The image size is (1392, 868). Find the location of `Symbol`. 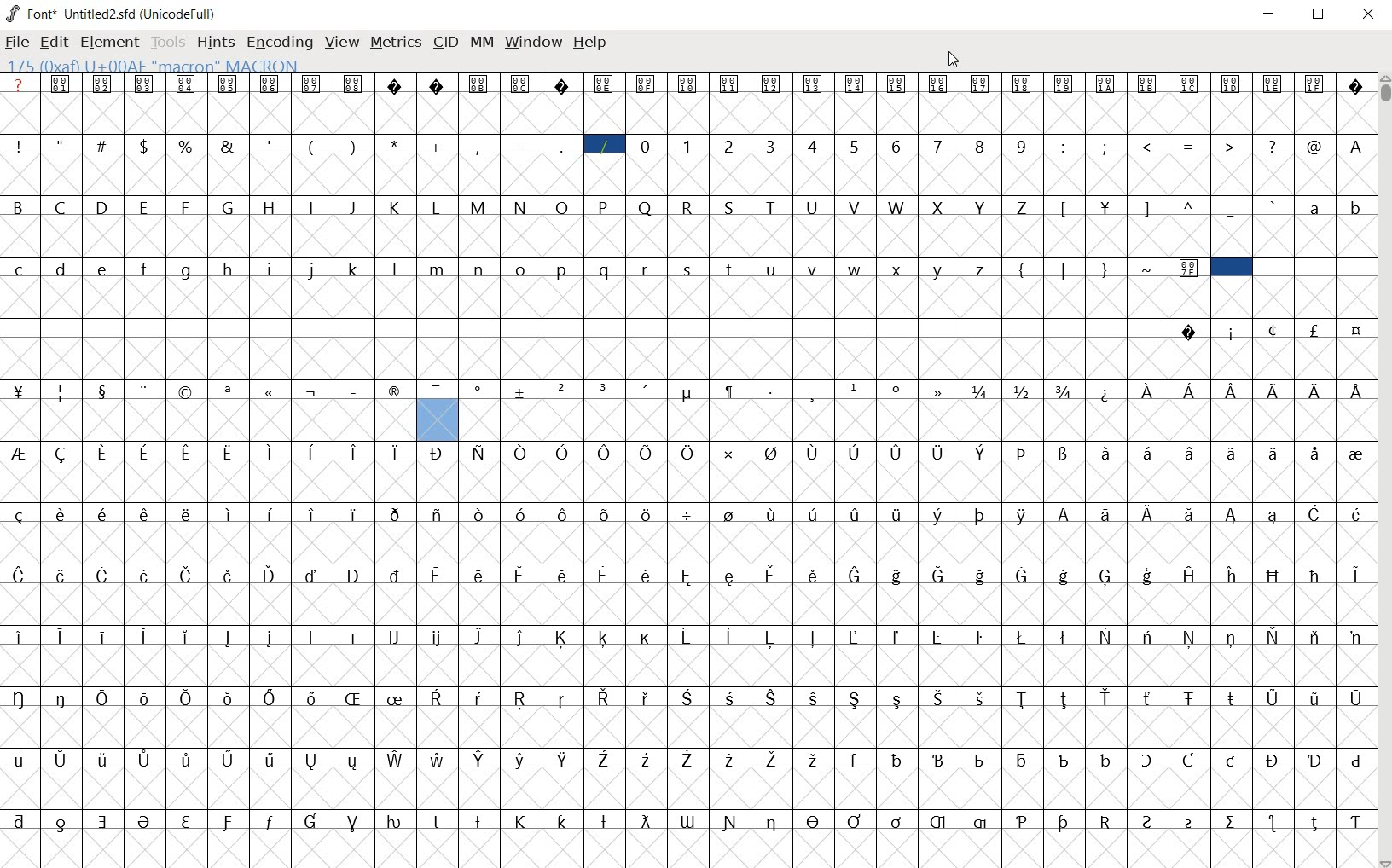

Symbol is located at coordinates (229, 697).